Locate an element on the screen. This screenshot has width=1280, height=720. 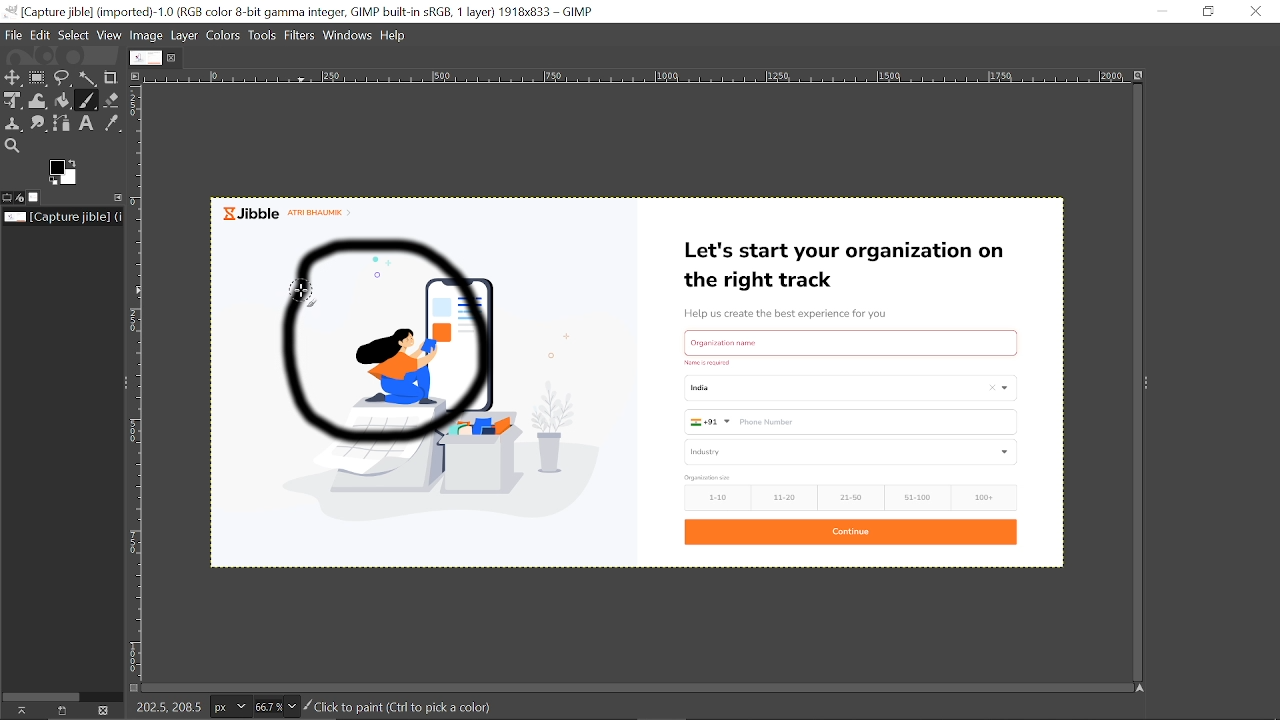
Images is located at coordinates (37, 197).